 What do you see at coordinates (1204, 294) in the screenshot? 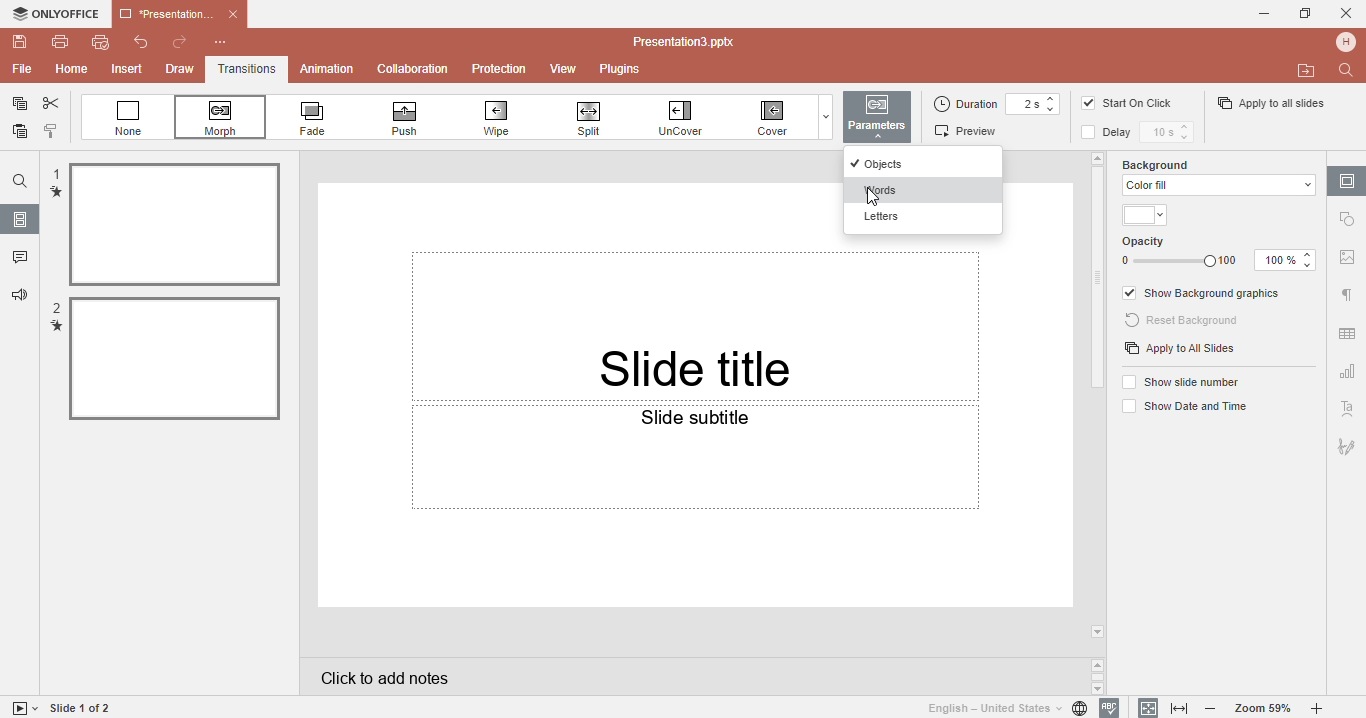
I see `Show background graphics` at bounding box center [1204, 294].